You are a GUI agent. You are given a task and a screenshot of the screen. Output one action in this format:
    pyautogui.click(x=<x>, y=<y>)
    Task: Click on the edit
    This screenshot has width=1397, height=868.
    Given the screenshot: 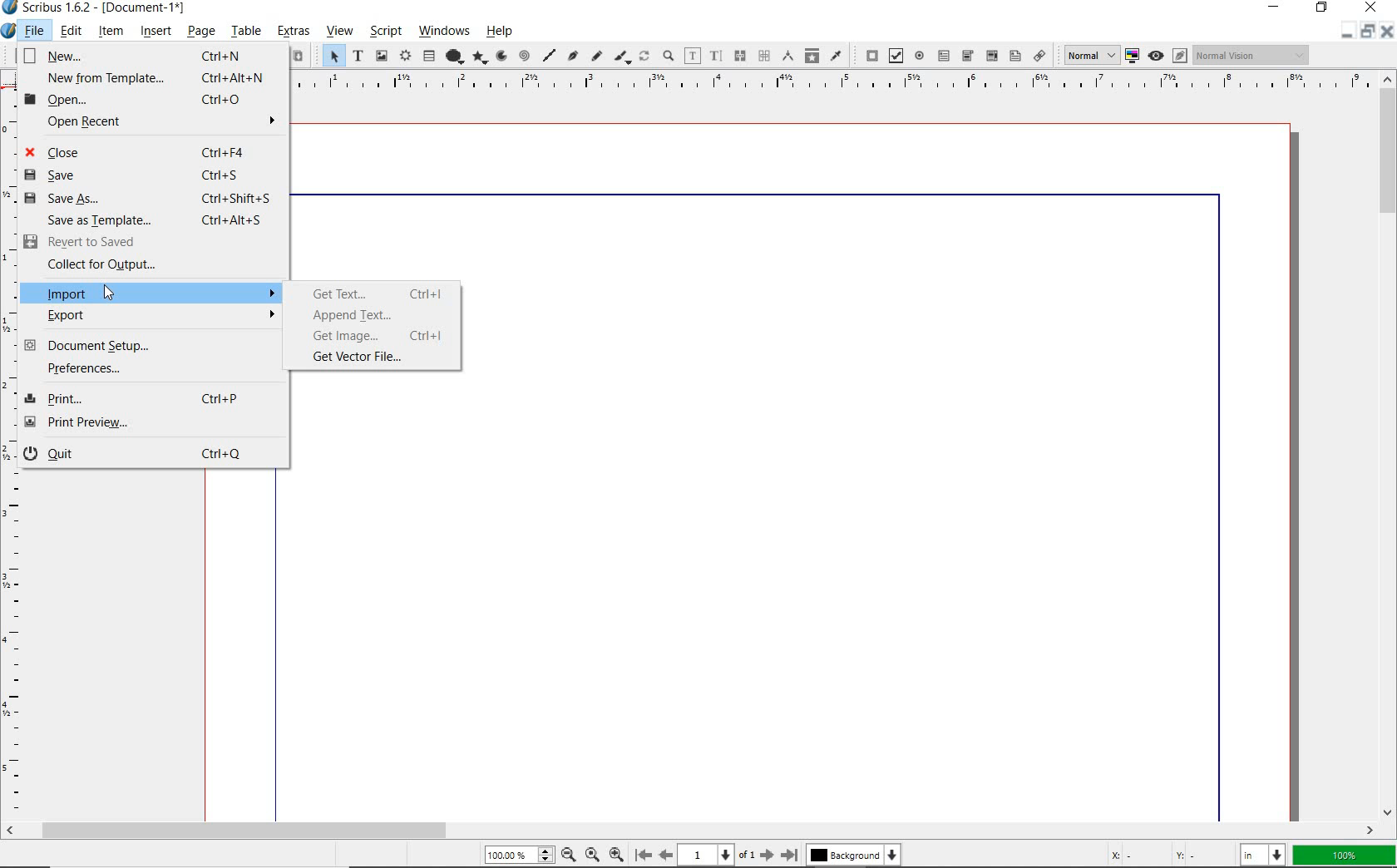 What is the action you would take?
    pyautogui.click(x=72, y=32)
    